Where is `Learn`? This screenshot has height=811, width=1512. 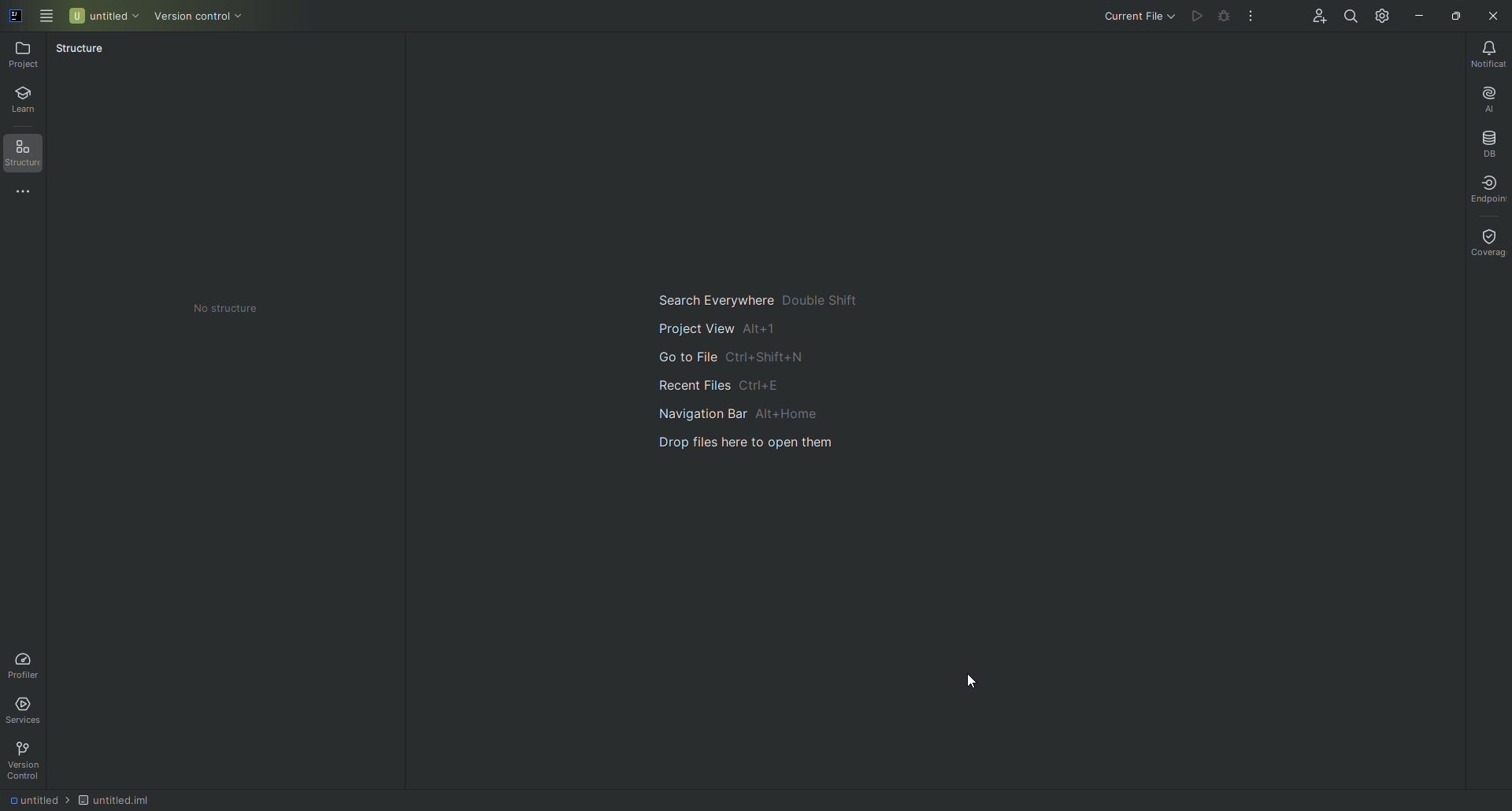 Learn is located at coordinates (29, 102).